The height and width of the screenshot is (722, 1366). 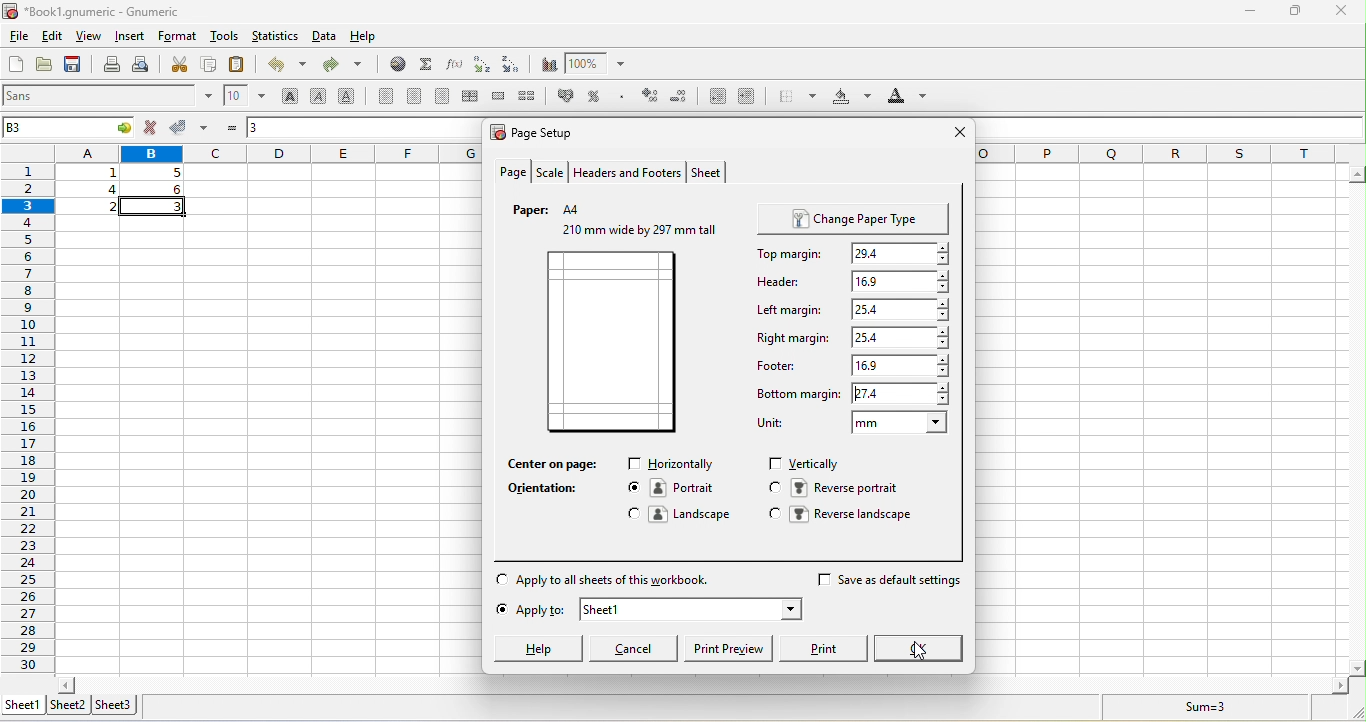 What do you see at coordinates (836, 487) in the screenshot?
I see `reverse portrait` at bounding box center [836, 487].